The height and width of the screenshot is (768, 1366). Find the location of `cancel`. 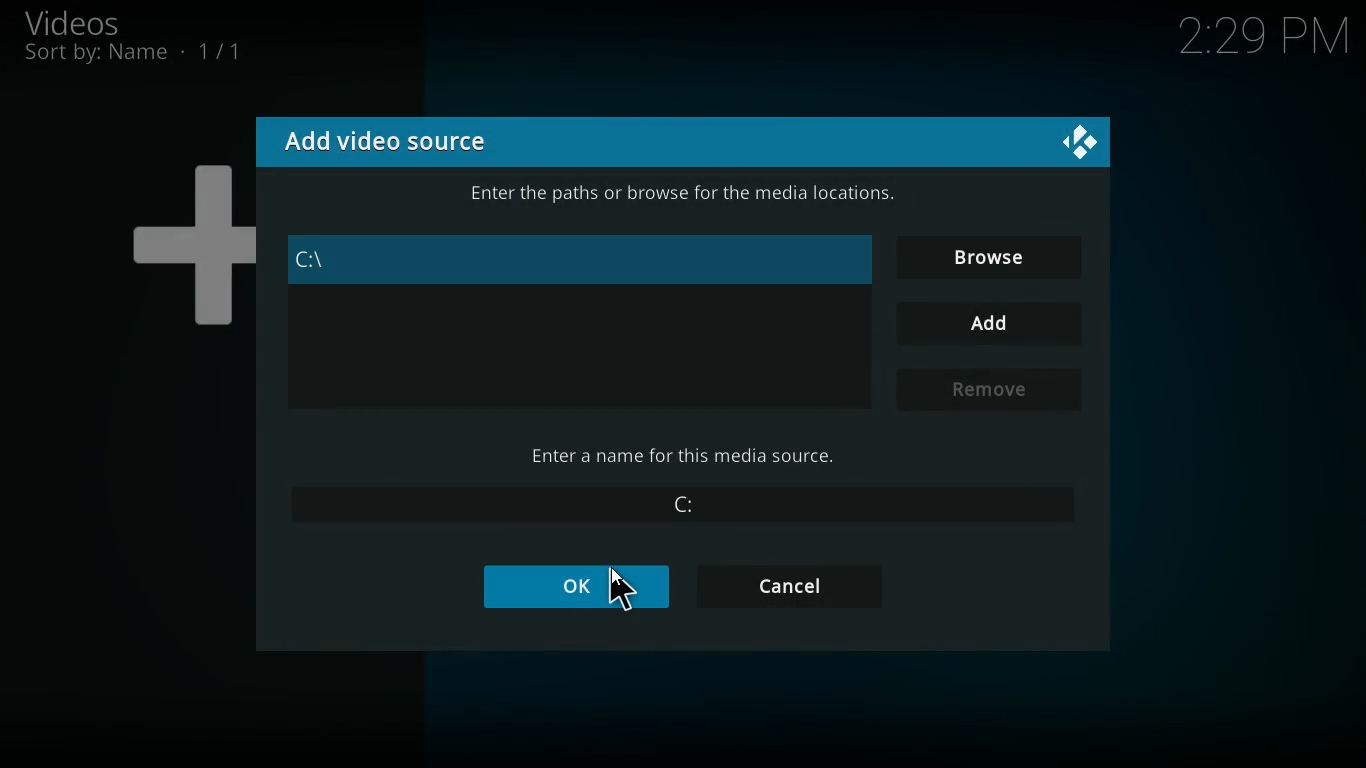

cancel is located at coordinates (790, 586).